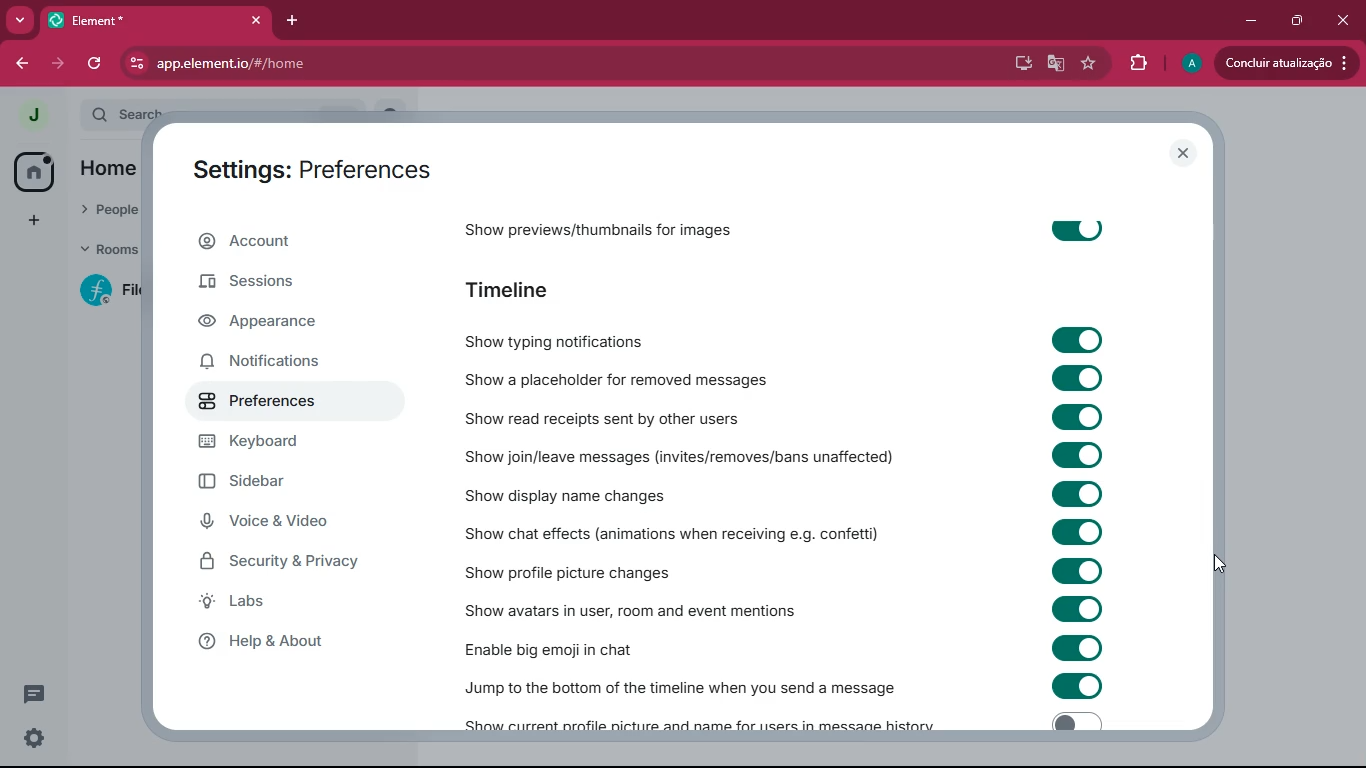  I want to click on toggle on , so click(1077, 417).